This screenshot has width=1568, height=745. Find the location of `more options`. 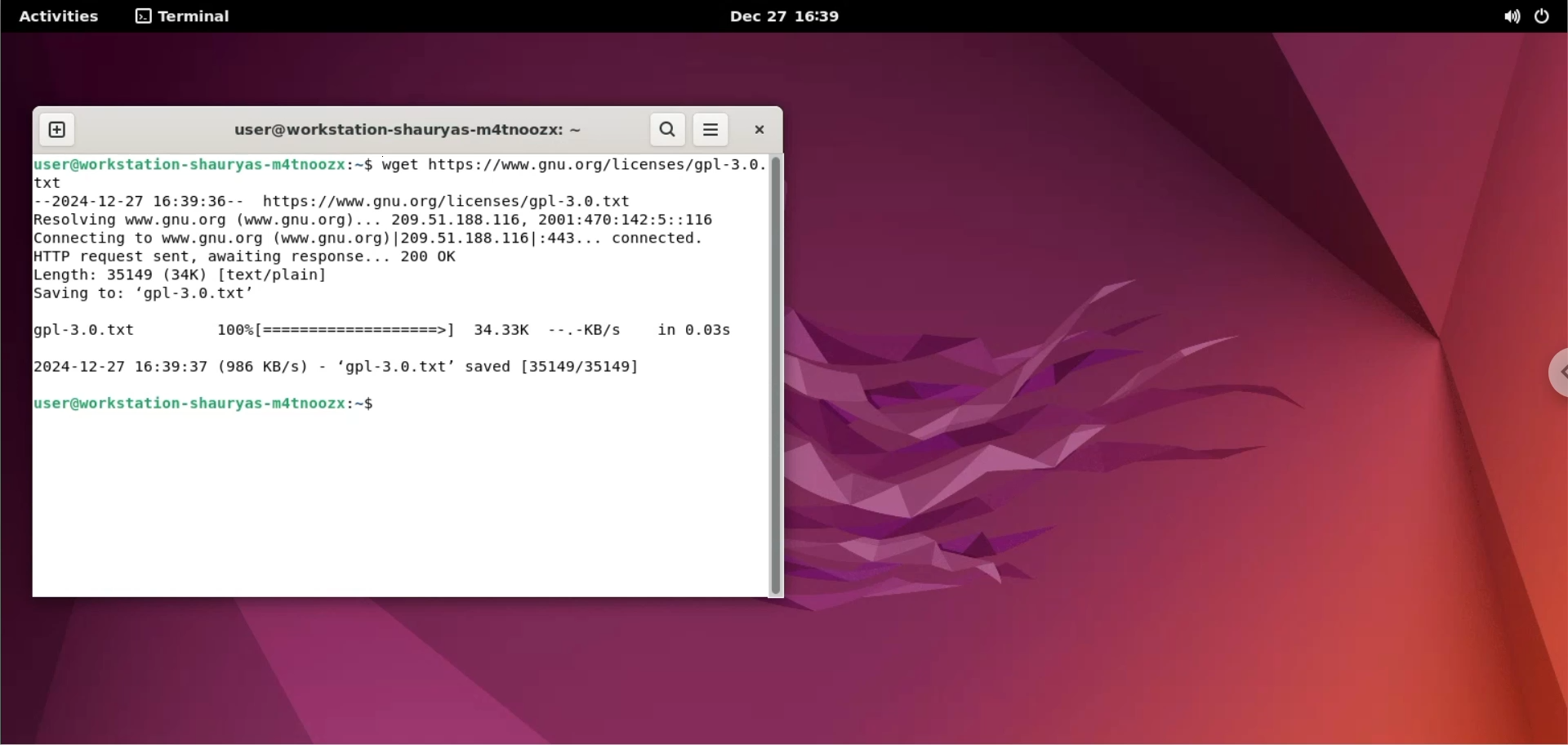

more options is located at coordinates (712, 129).